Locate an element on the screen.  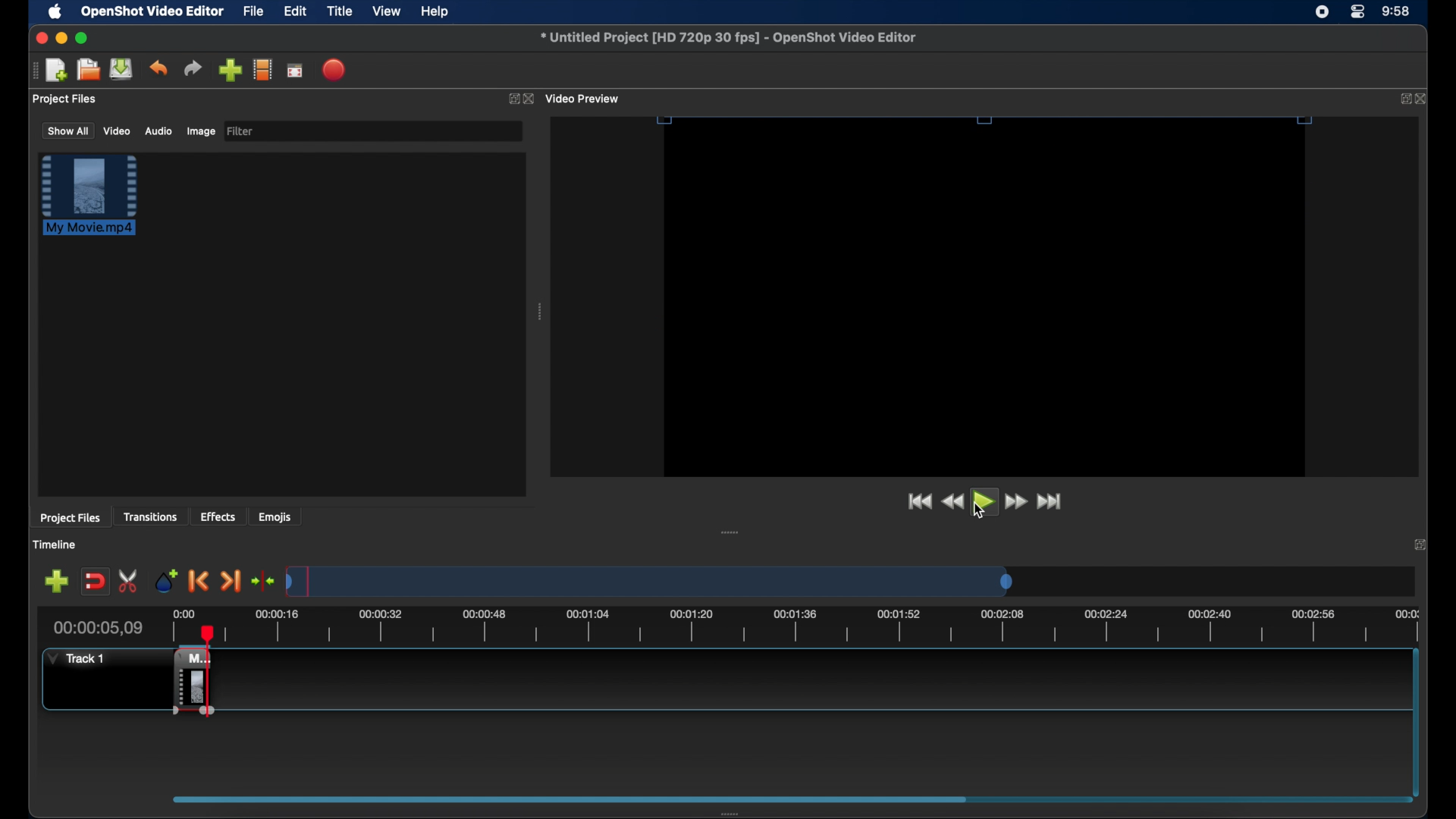
video preview is located at coordinates (584, 99).